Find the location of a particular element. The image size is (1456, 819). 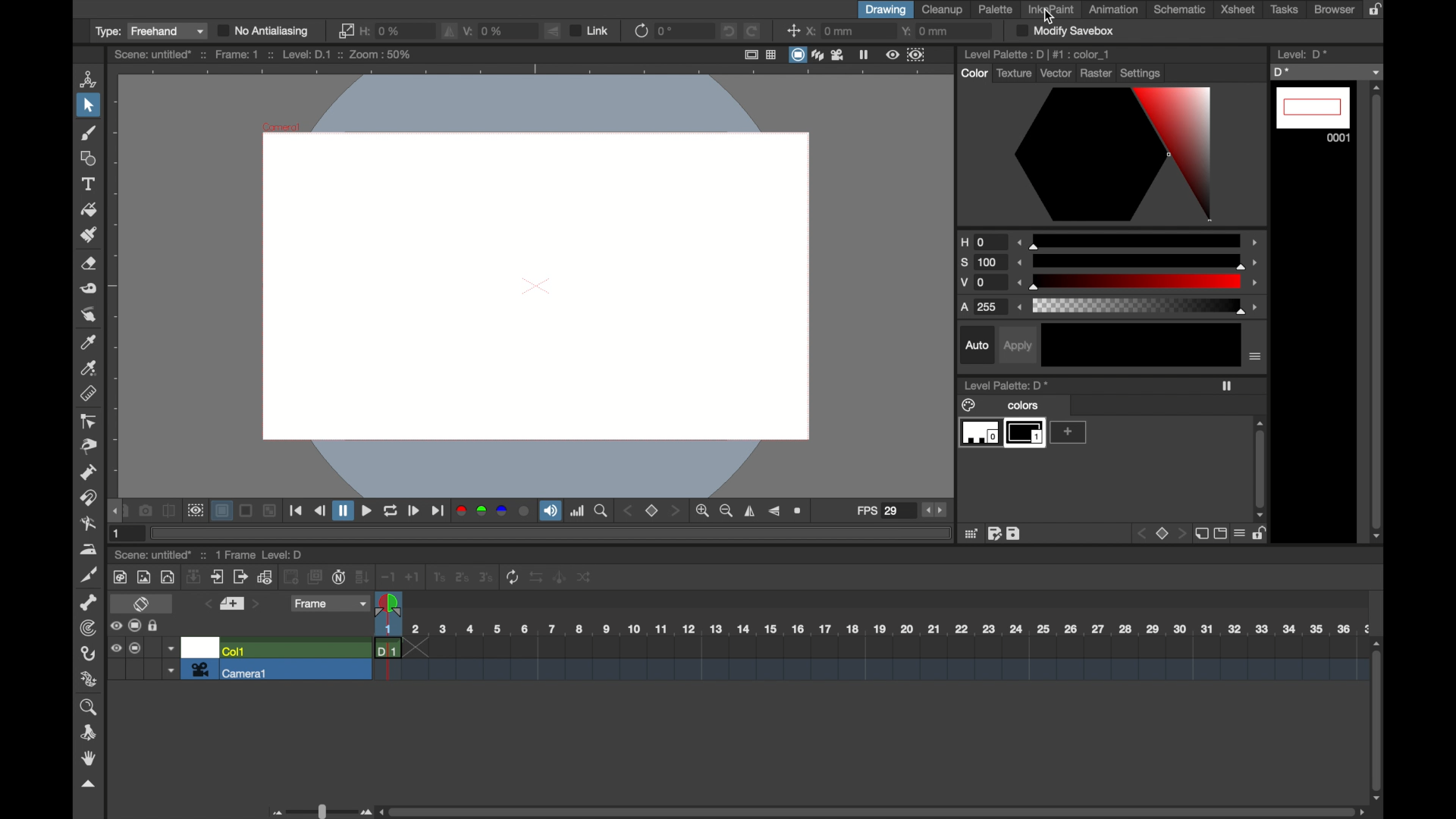

circle is located at coordinates (167, 577).